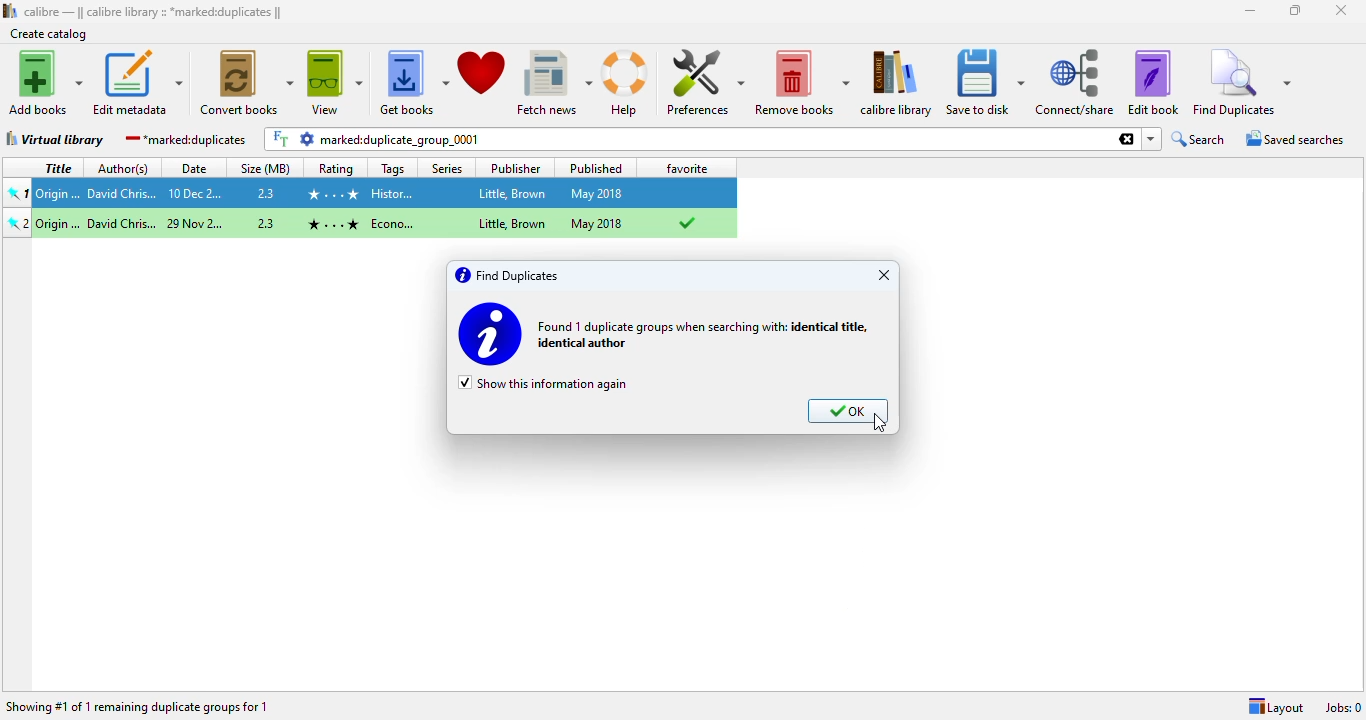 This screenshot has height=720, width=1366. Describe the element at coordinates (898, 83) in the screenshot. I see `calibre library` at that location.